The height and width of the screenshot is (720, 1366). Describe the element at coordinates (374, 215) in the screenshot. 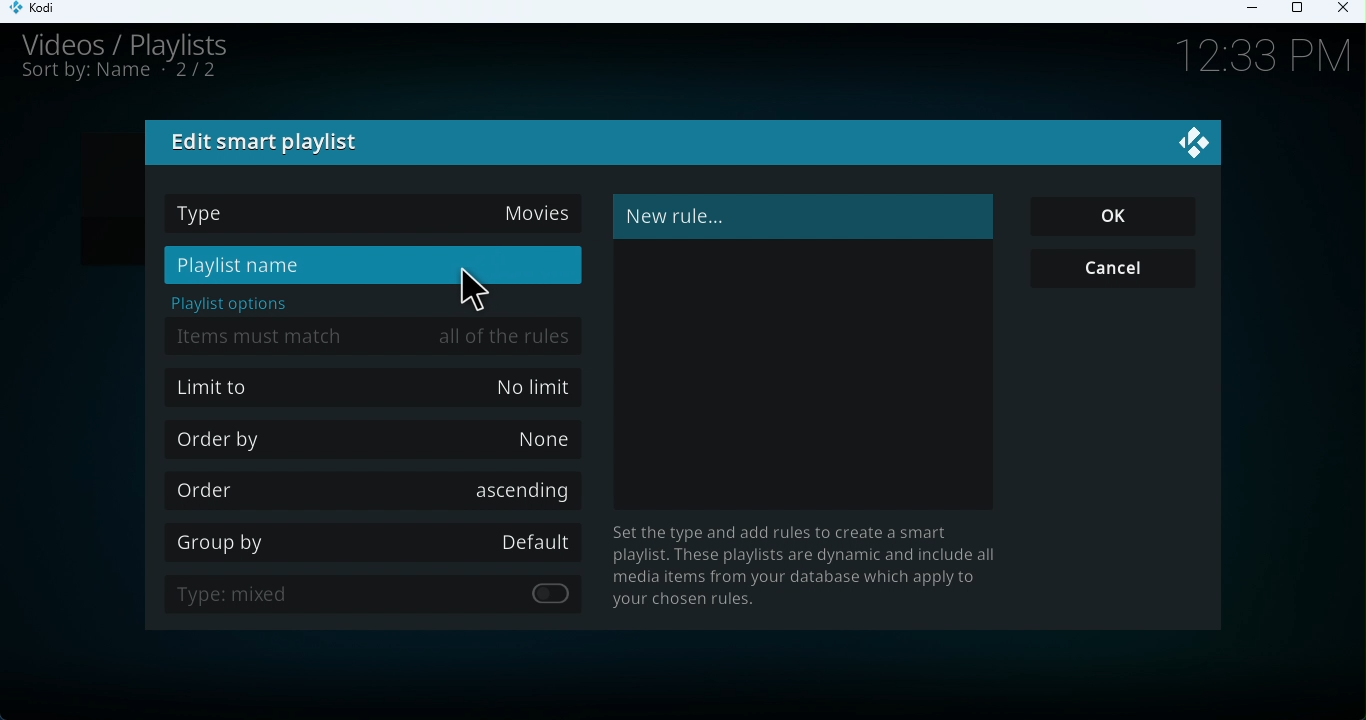

I see `Type` at that location.